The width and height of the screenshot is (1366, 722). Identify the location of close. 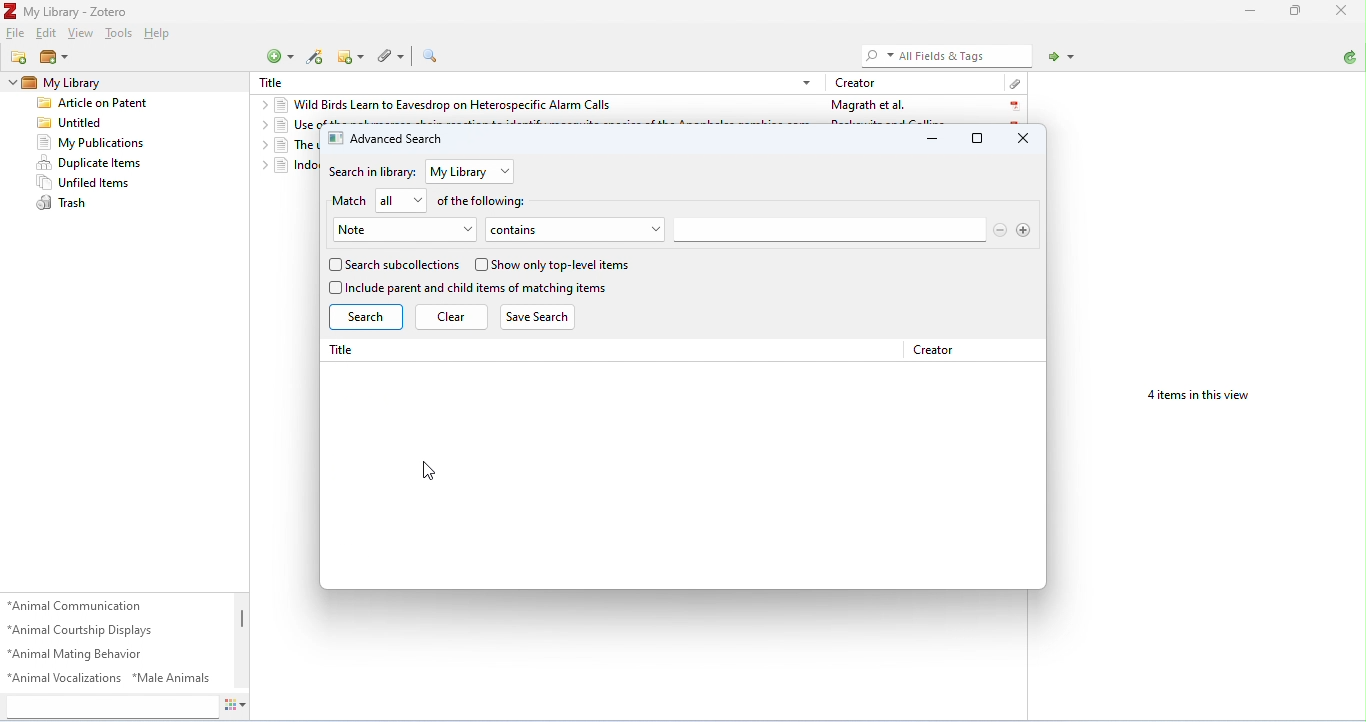
(1343, 12).